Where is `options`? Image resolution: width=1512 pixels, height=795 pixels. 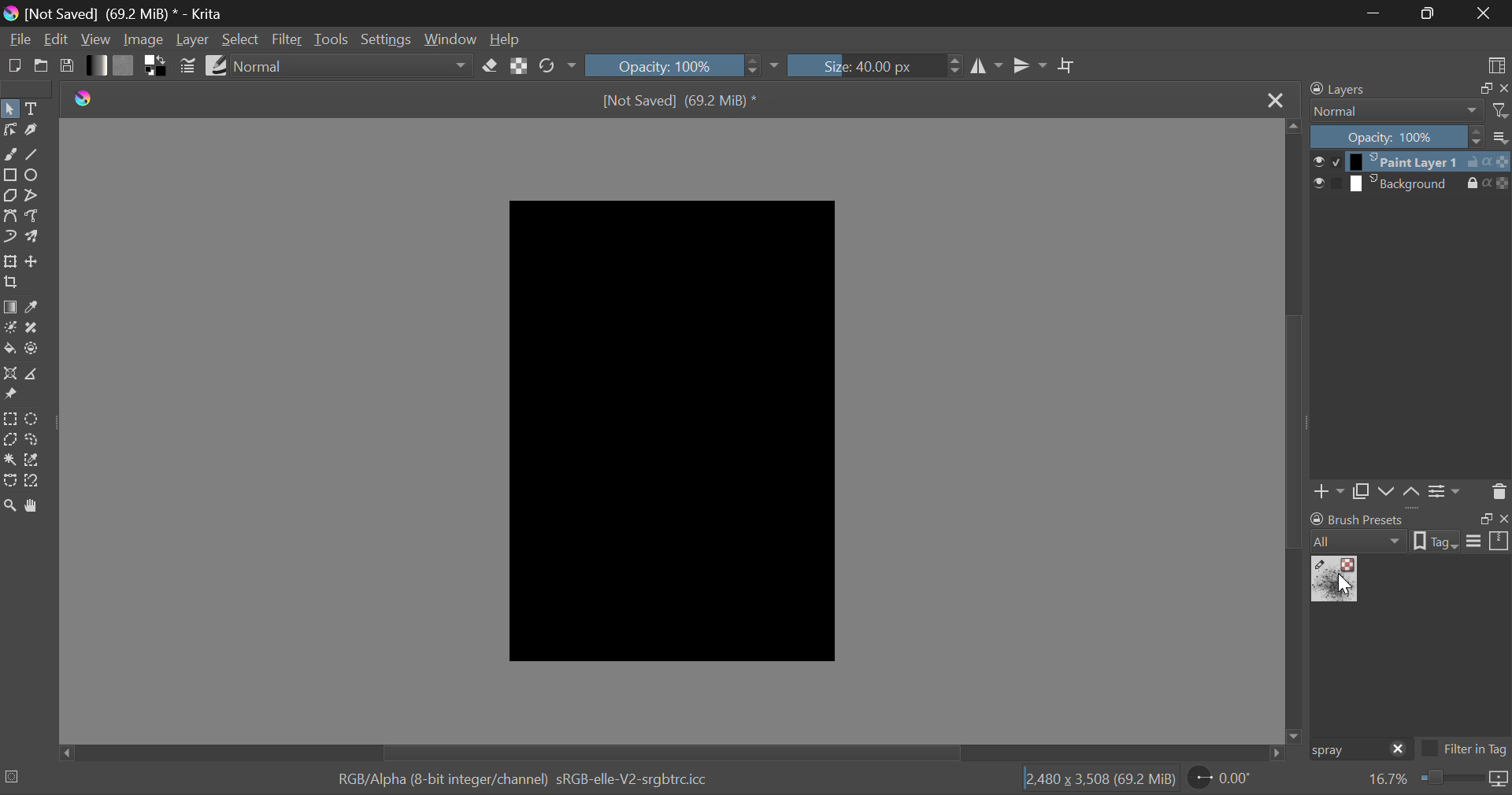
options is located at coordinates (1488, 540).